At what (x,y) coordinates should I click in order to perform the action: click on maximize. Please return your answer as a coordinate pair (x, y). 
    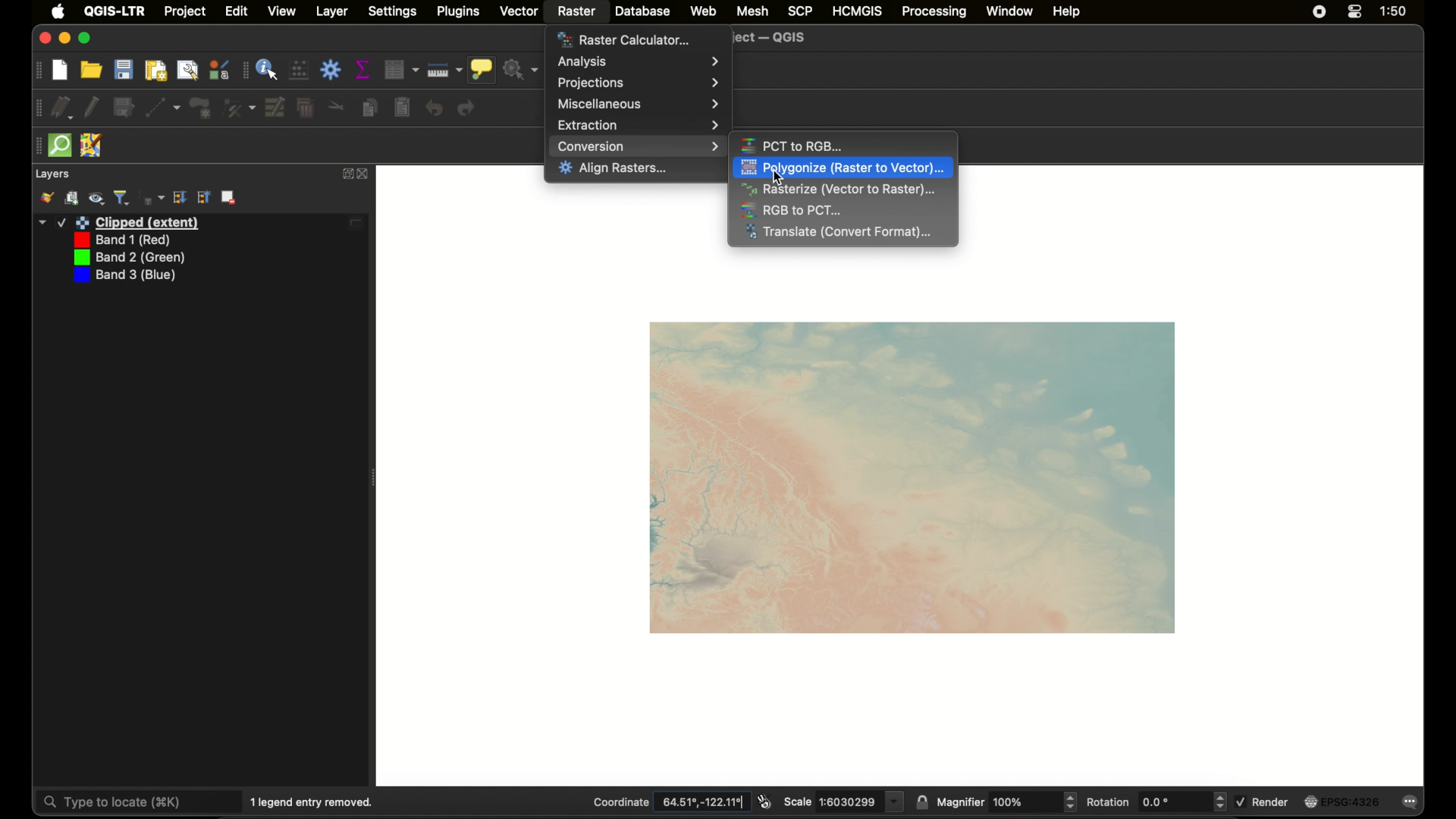
    Looking at the image, I should click on (86, 39).